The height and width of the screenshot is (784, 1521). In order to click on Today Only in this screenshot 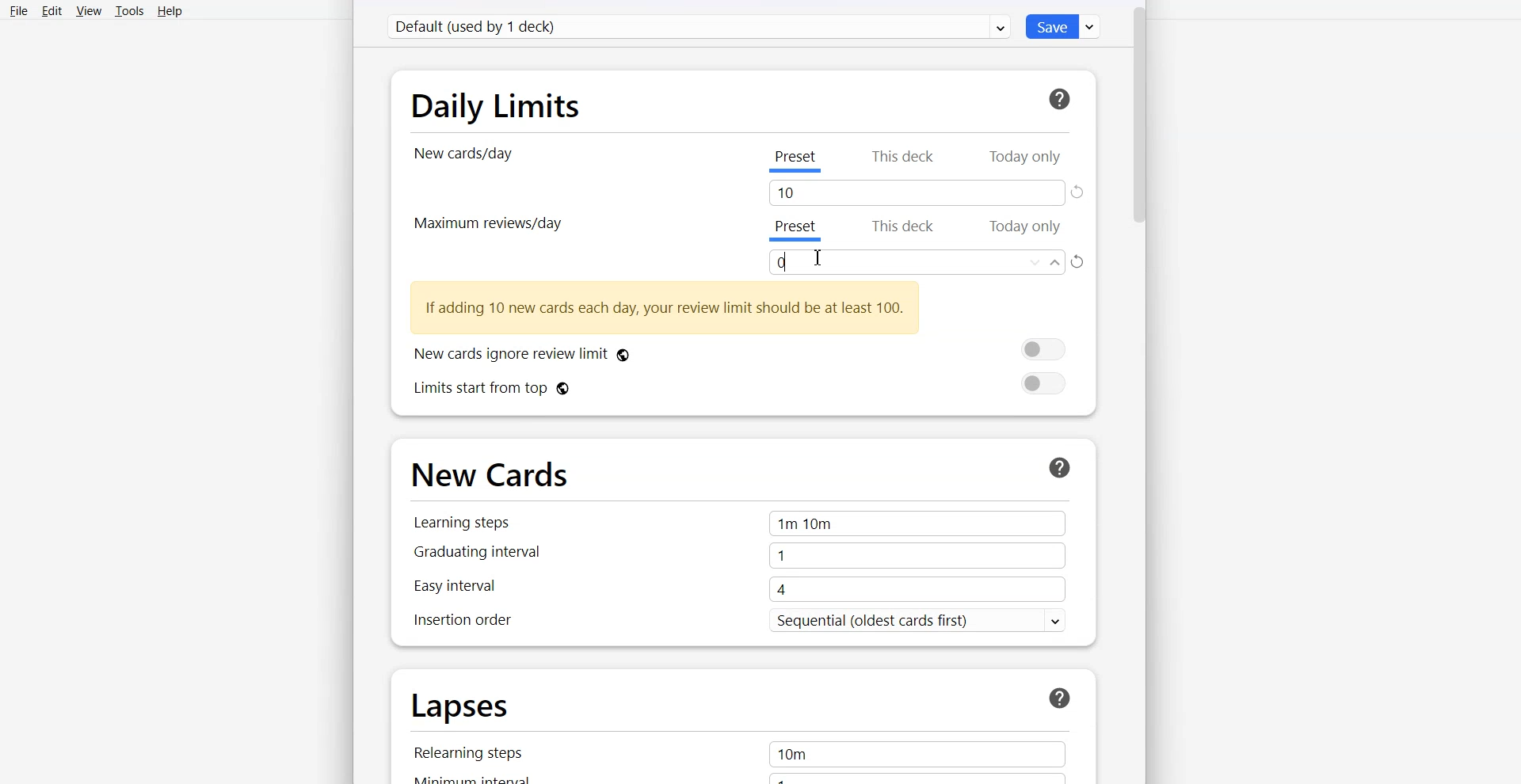, I will do `click(1024, 158)`.